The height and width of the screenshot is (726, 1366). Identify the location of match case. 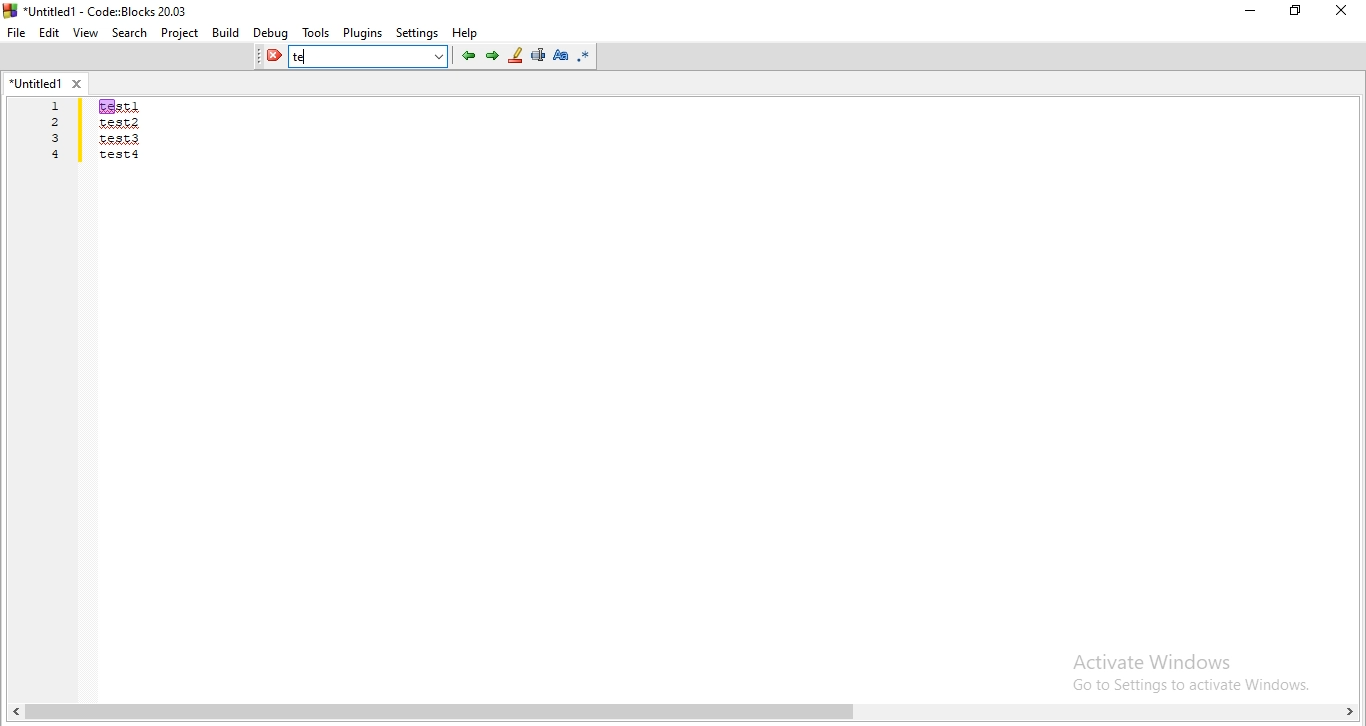
(561, 54).